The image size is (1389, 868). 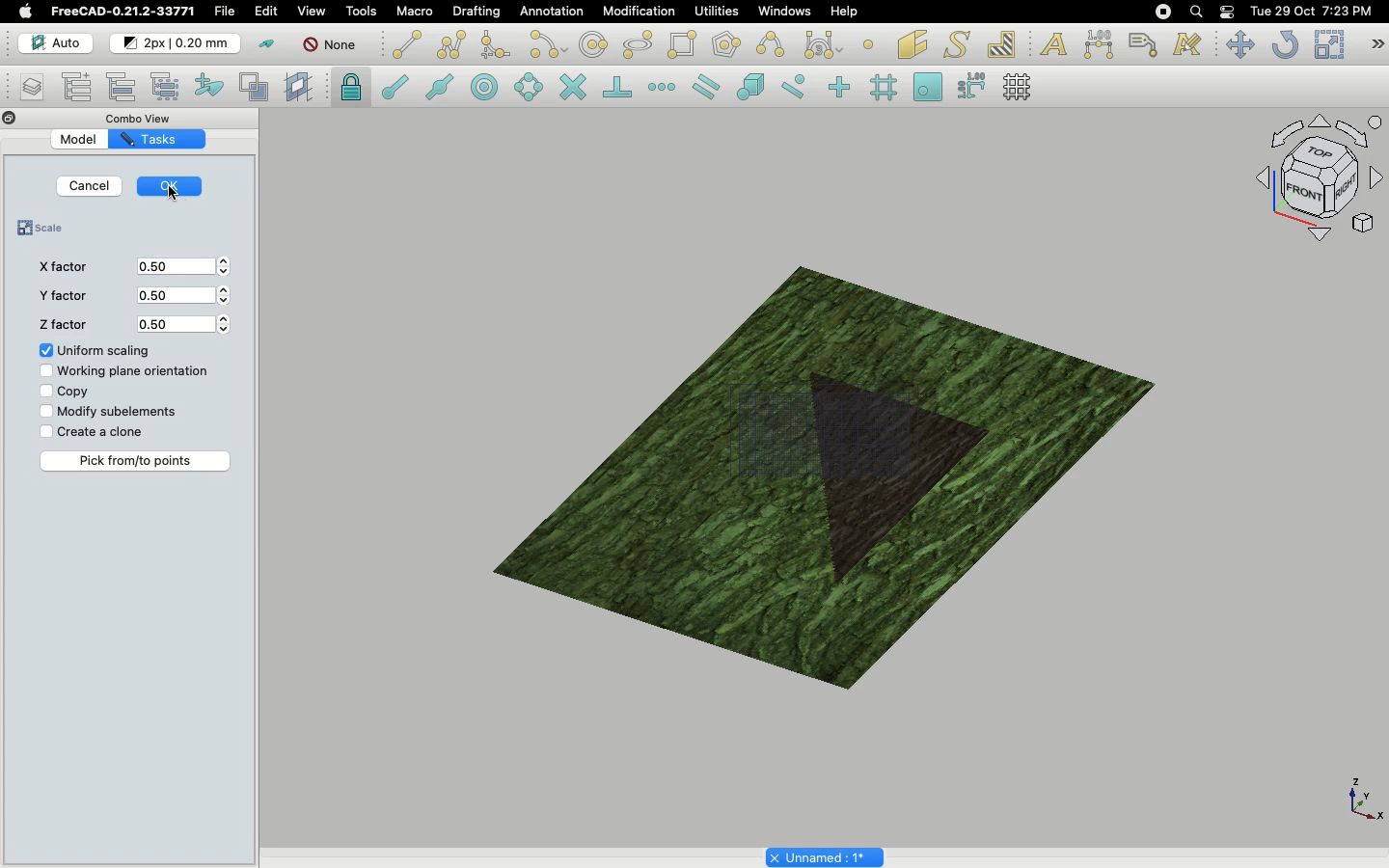 What do you see at coordinates (968, 86) in the screenshot?
I see `Snap dimensions` at bounding box center [968, 86].